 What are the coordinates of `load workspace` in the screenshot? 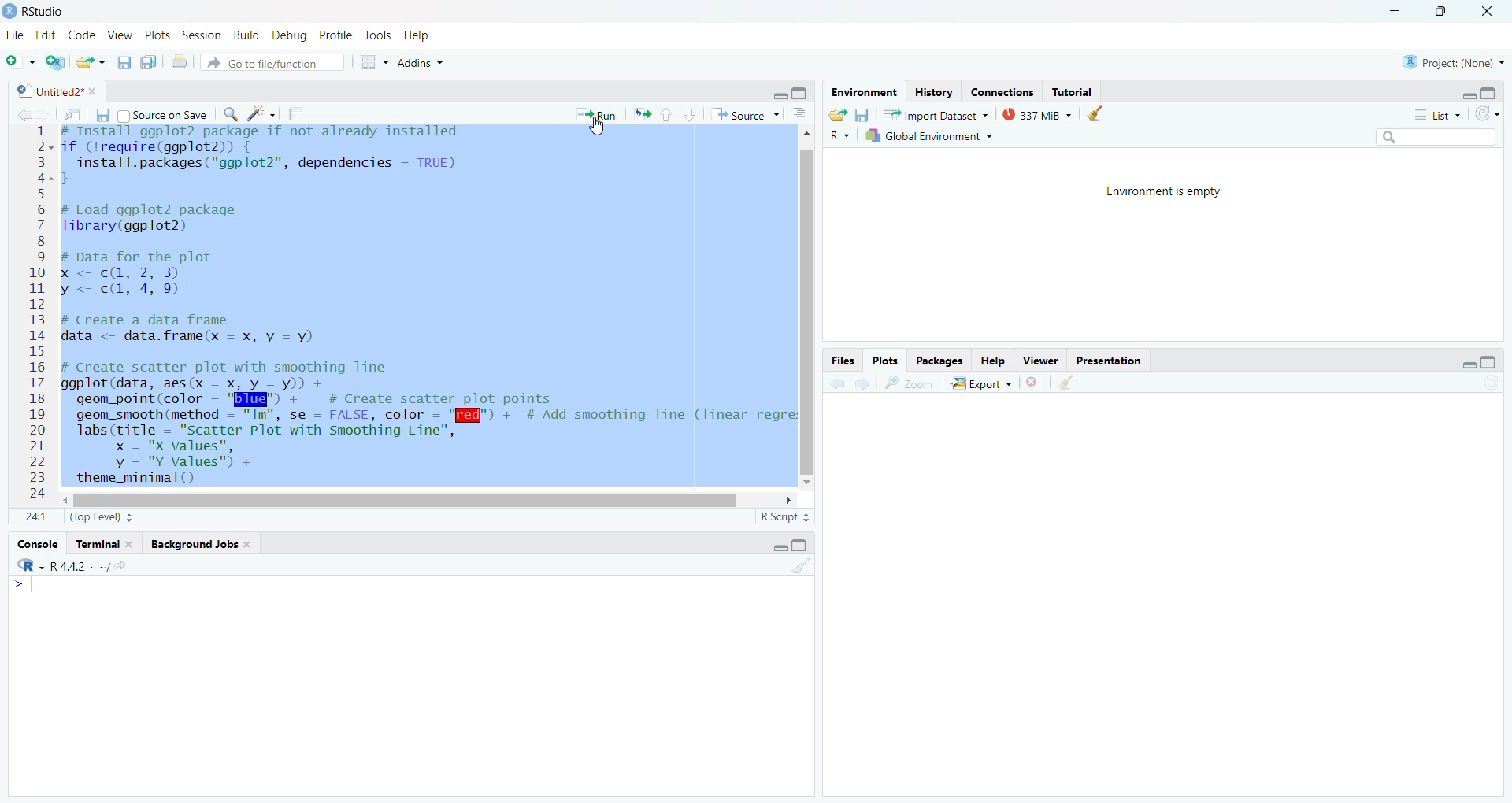 It's located at (838, 115).